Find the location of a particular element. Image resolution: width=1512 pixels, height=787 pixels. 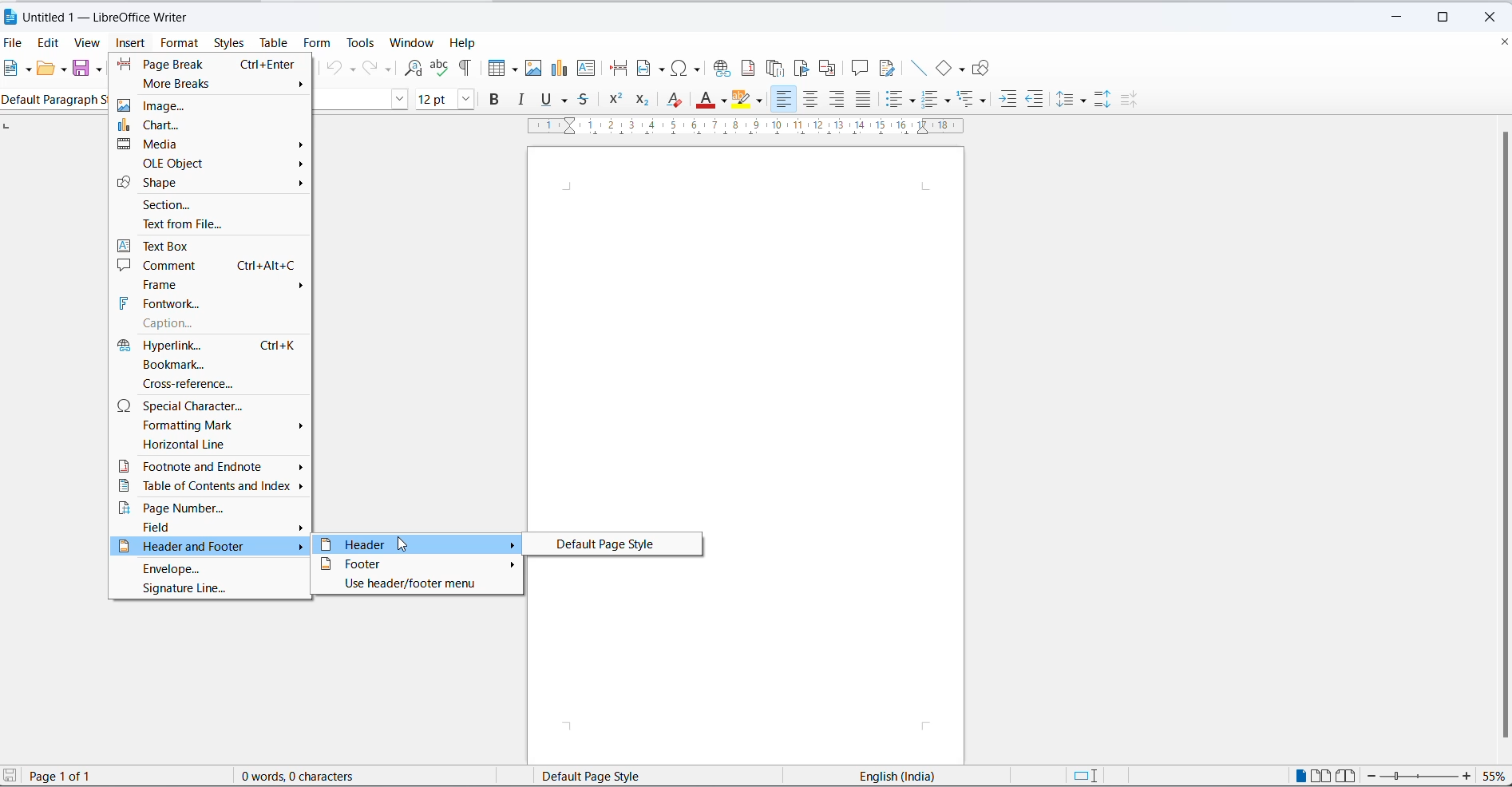

insert line is located at coordinates (917, 69).